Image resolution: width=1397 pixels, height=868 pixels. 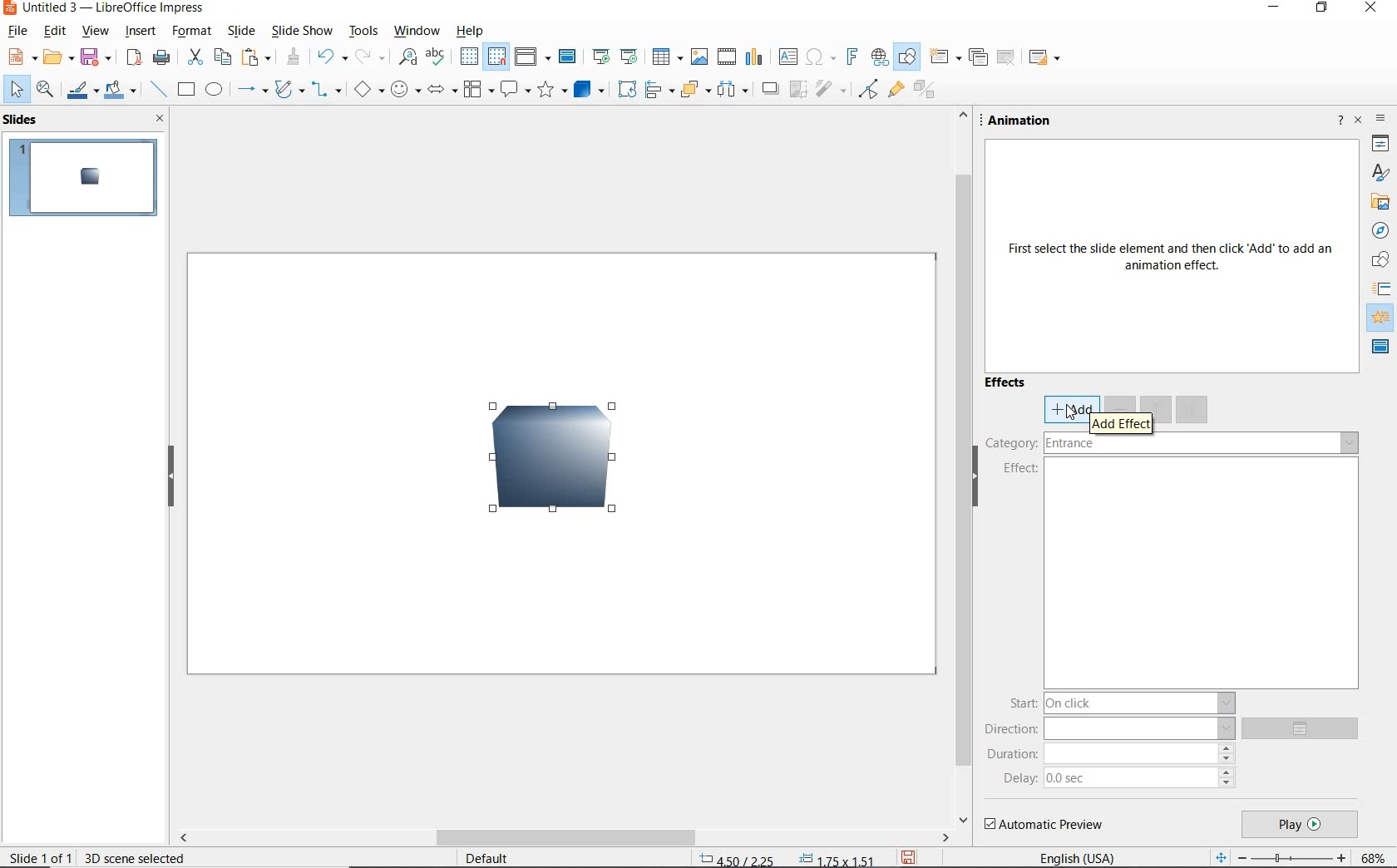 What do you see at coordinates (61, 57) in the screenshot?
I see `open` at bounding box center [61, 57].